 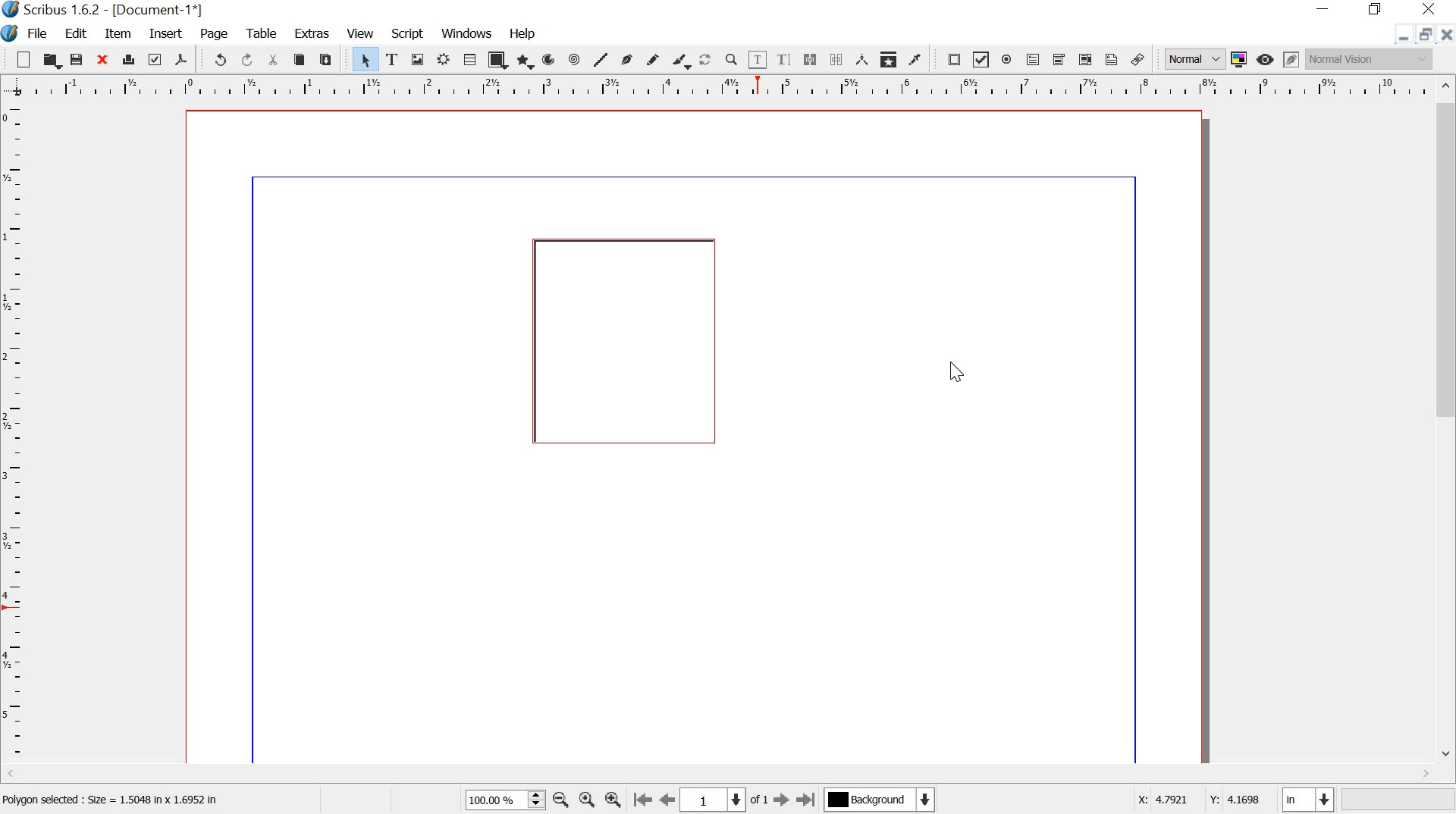 What do you see at coordinates (1193, 59) in the screenshot?
I see `normal` at bounding box center [1193, 59].